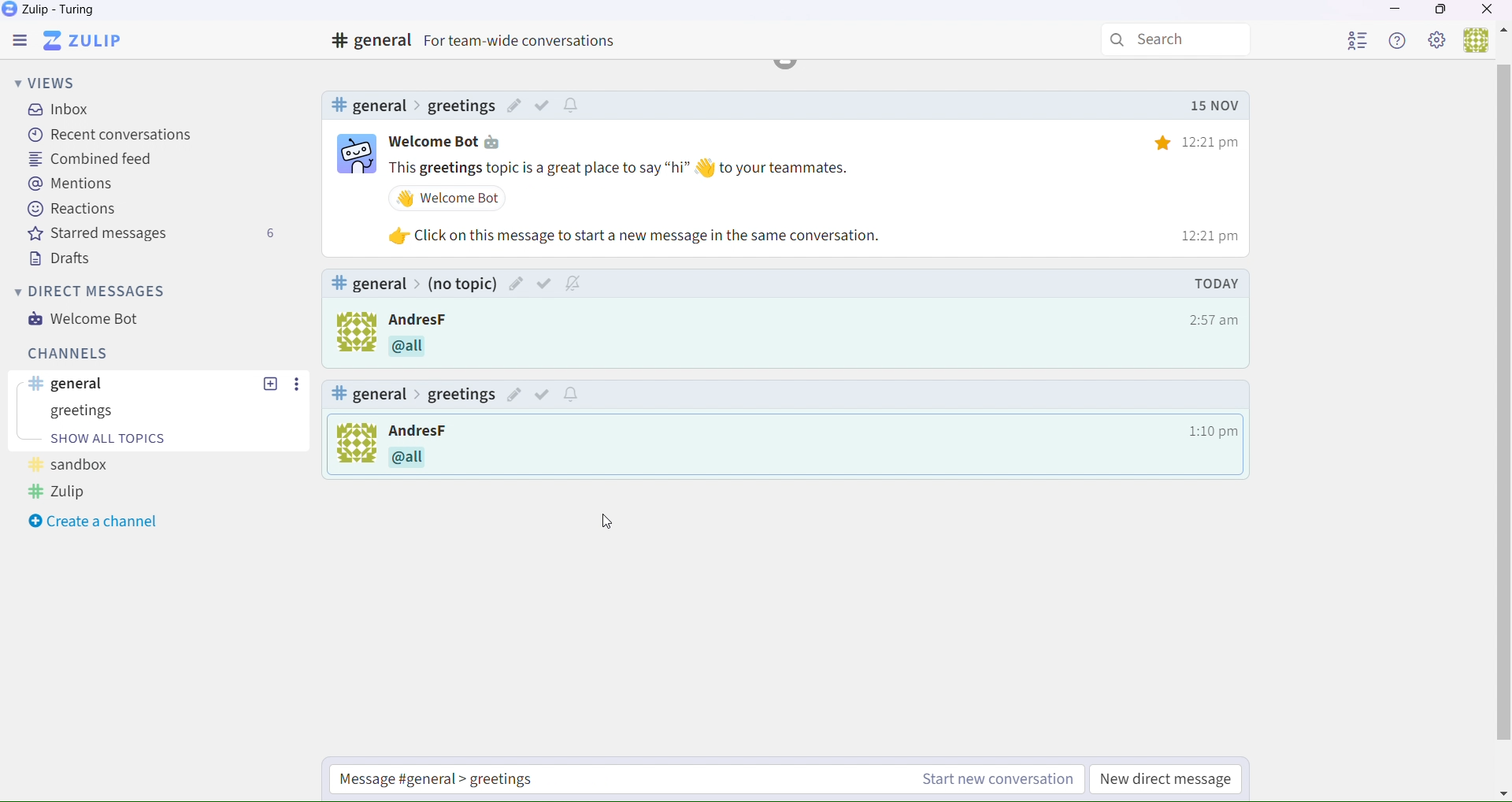 The height and width of the screenshot is (802, 1512). What do you see at coordinates (90, 160) in the screenshot?
I see `Combined feed` at bounding box center [90, 160].